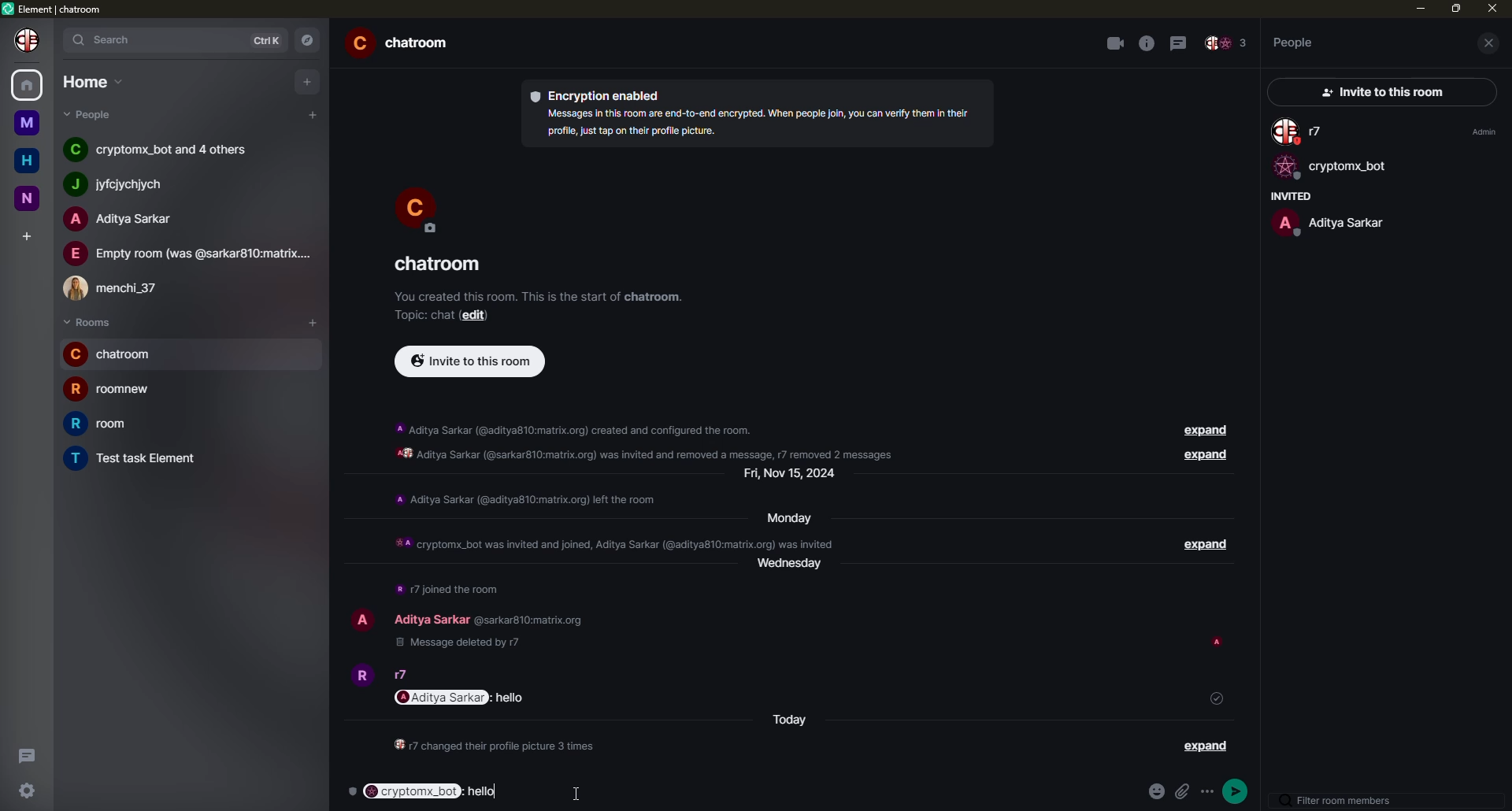 The height and width of the screenshot is (811, 1512). What do you see at coordinates (88, 323) in the screenshot?
I see `rooms` at bounding box center [88, 323].